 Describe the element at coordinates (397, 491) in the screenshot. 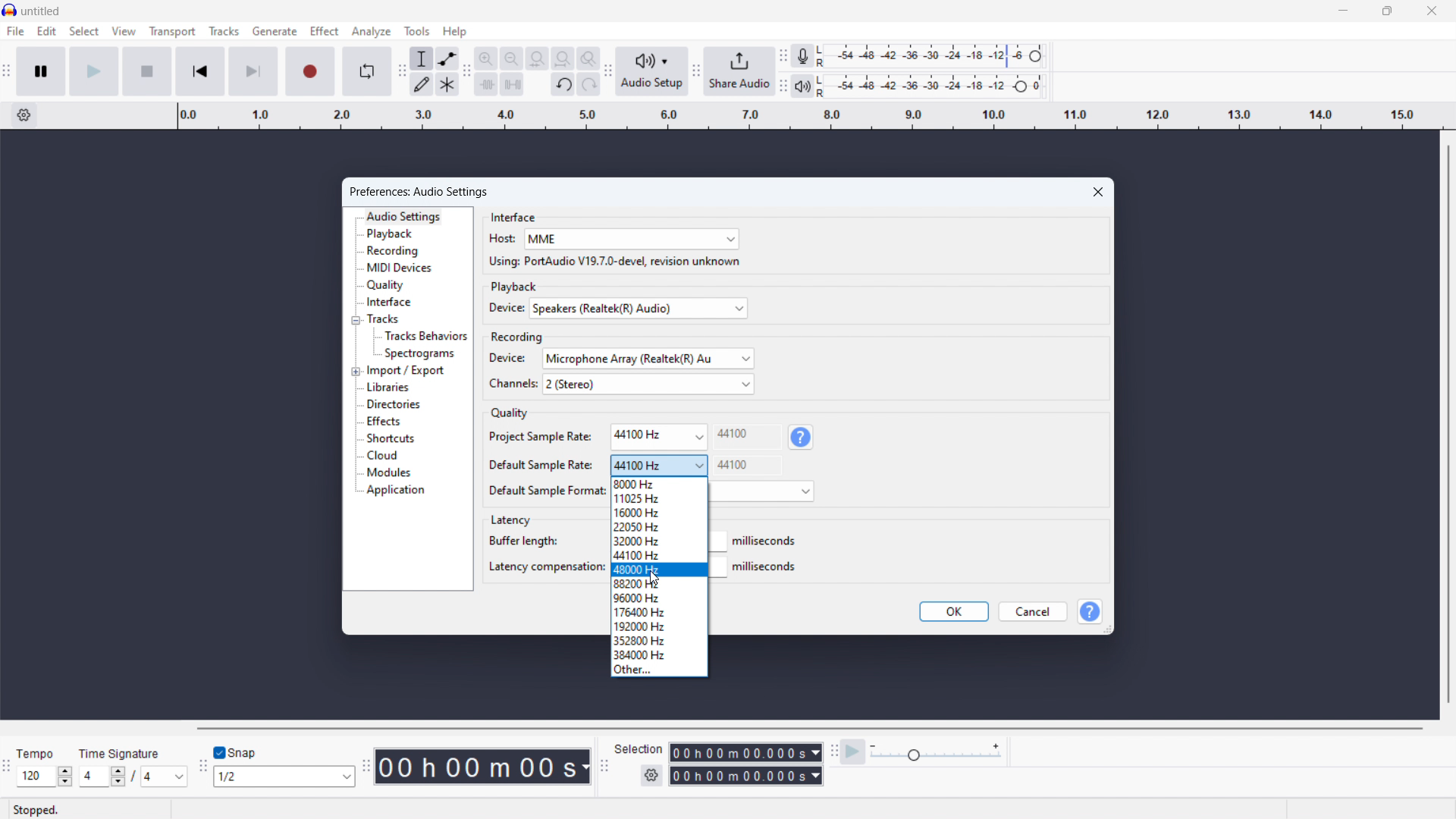

I see `application` at that location.